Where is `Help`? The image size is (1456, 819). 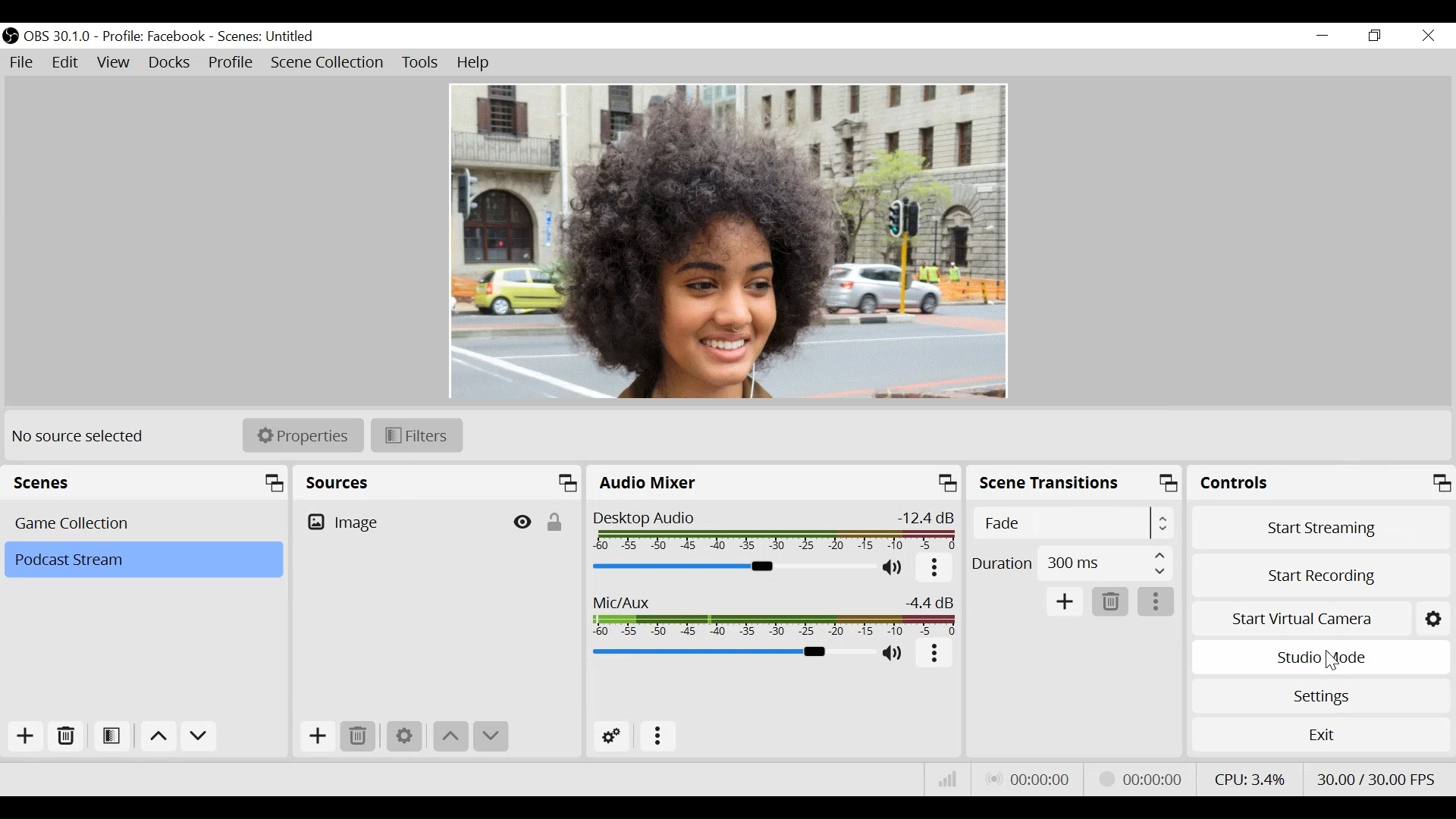 Help is located at coordinates (475, 64).